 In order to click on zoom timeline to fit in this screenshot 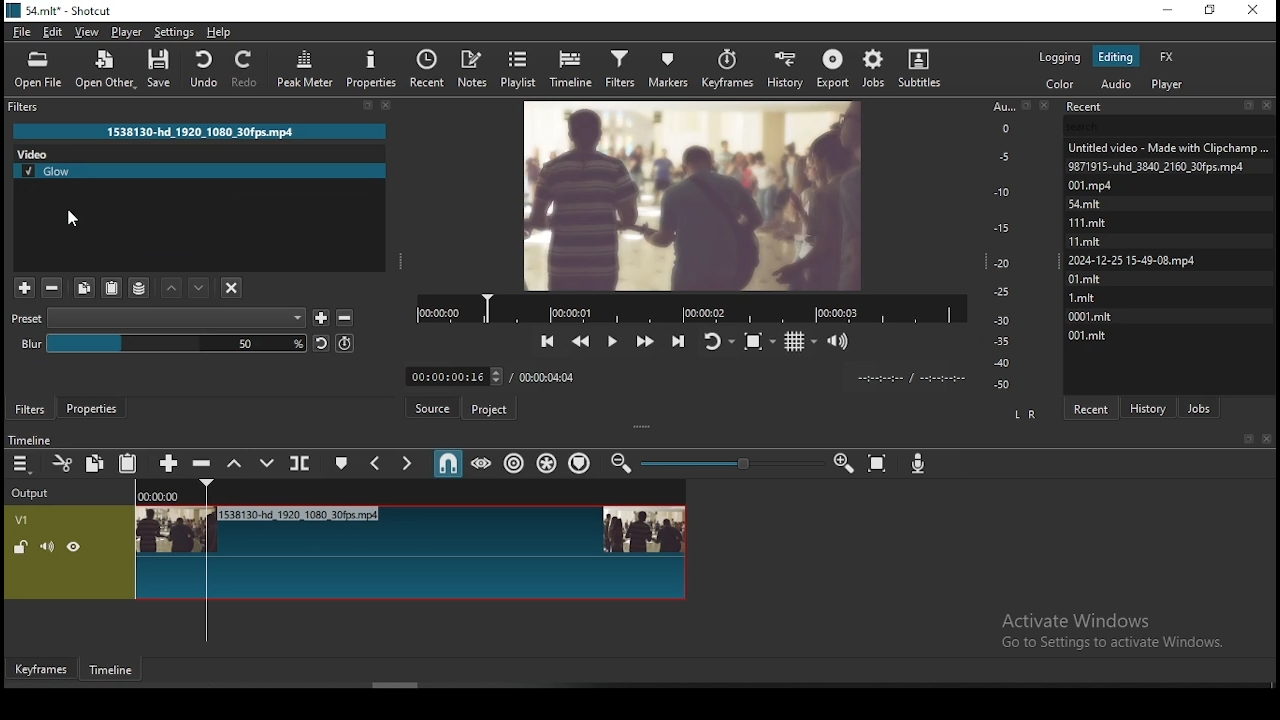, I will do `click(879, 464)`.